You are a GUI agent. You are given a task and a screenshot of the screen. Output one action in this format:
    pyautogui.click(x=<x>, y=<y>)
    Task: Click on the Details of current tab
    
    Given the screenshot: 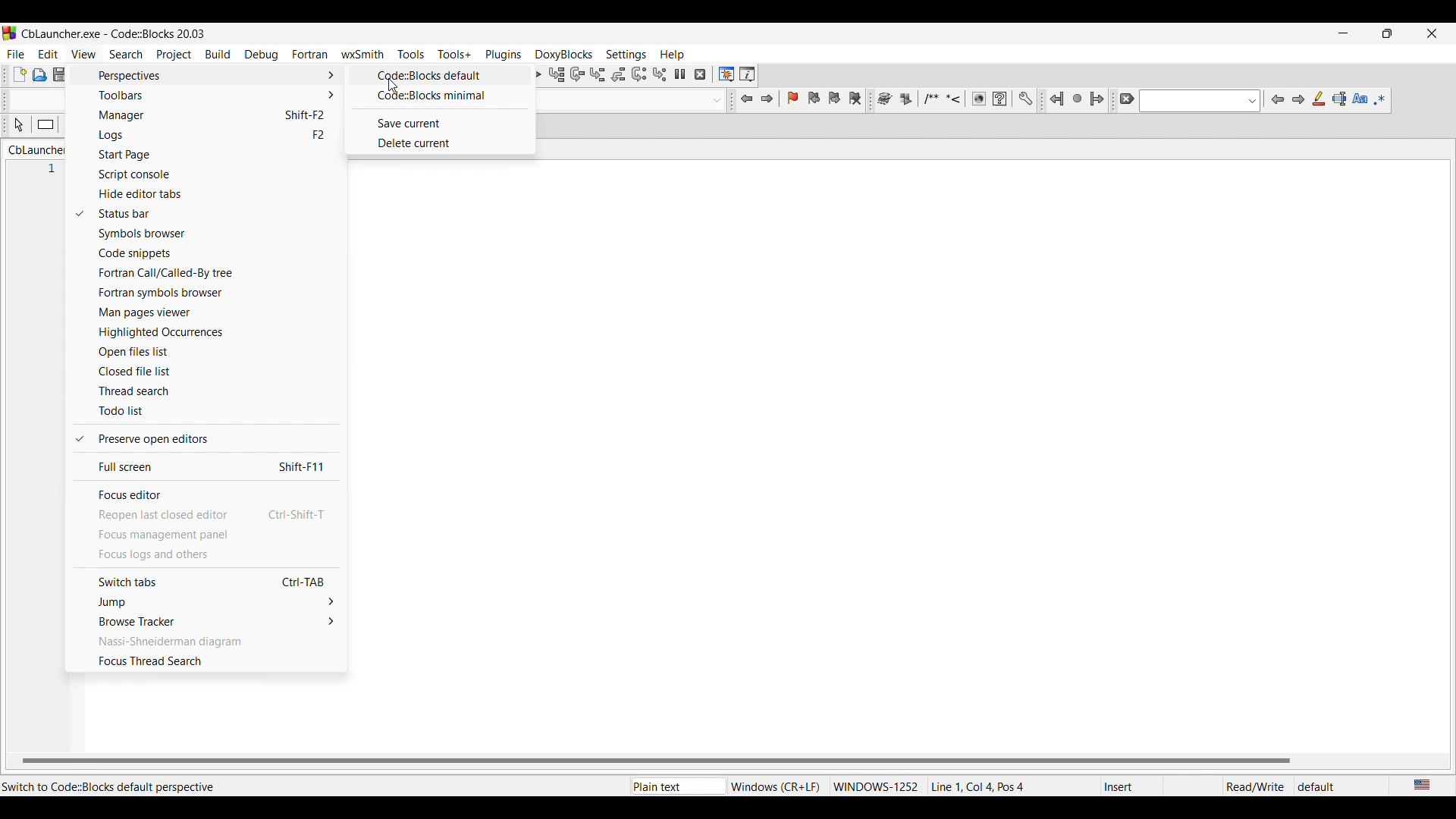 What is the action you would take?
    pyautogui.click(x=987, y=786)
    